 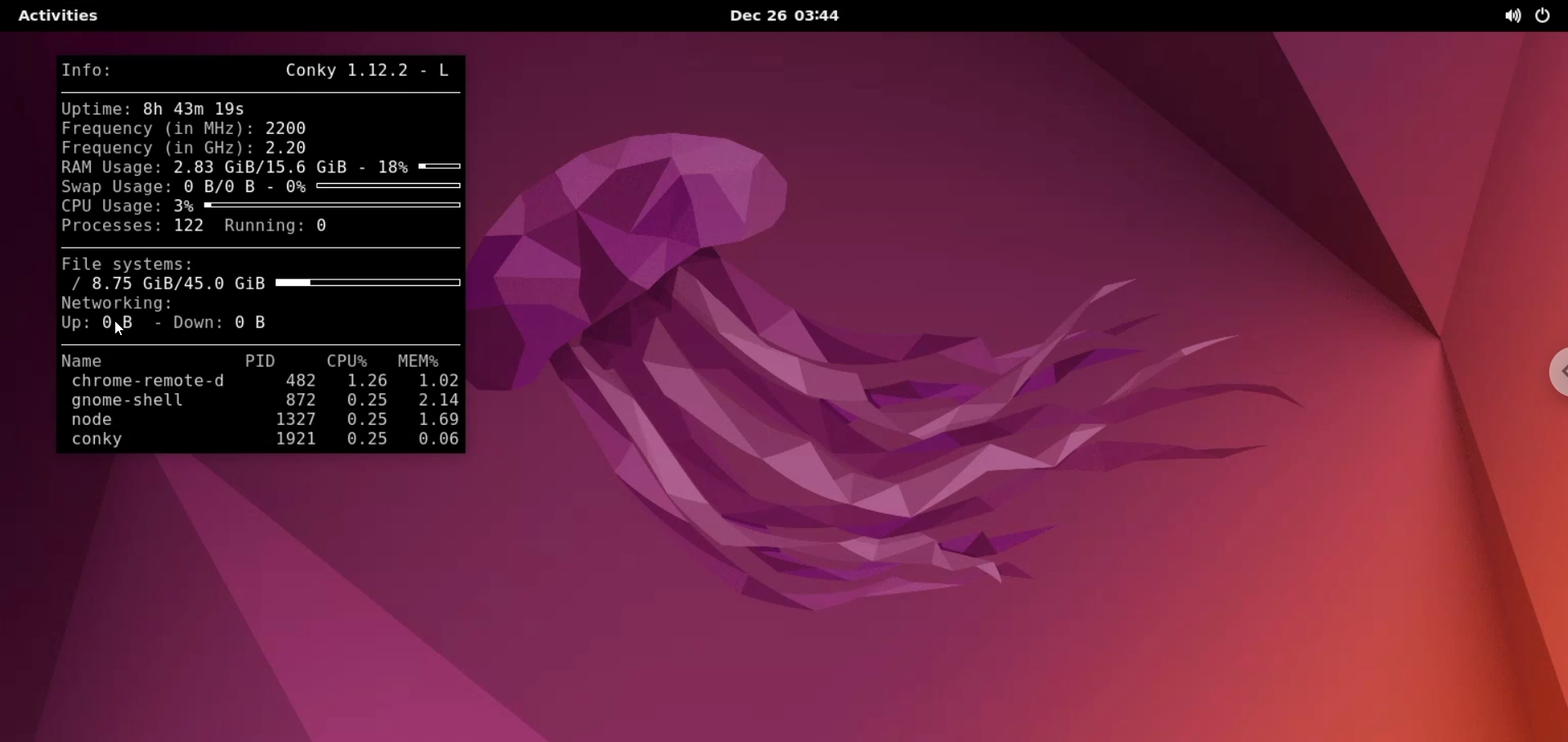 What do you see at coordinates (94, 70) in the screenshot?
I see `Info:` at bounding box center [94, 70].